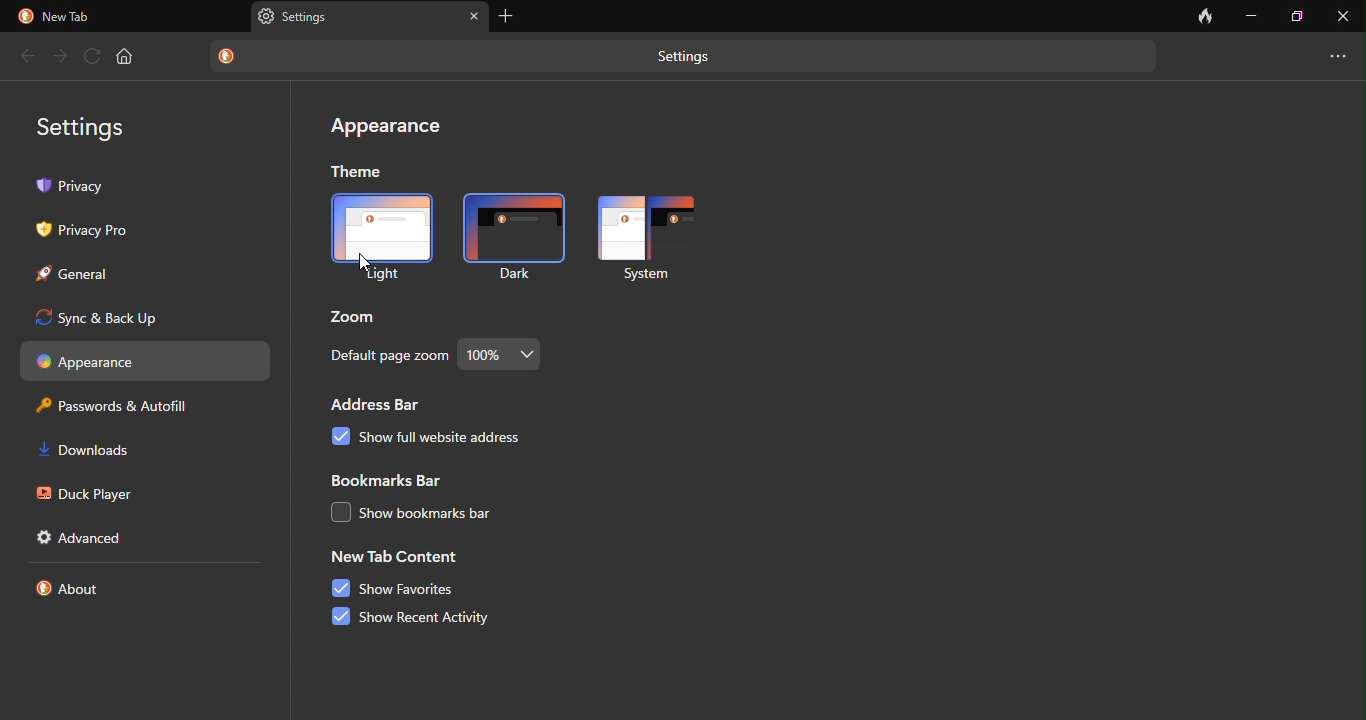 Image resolution: width=1366 pixels, height=720 pixels. What do you see at coordinates (464, 444) in the screenshot?
I see `show full address` at bounding box center [464, 444].